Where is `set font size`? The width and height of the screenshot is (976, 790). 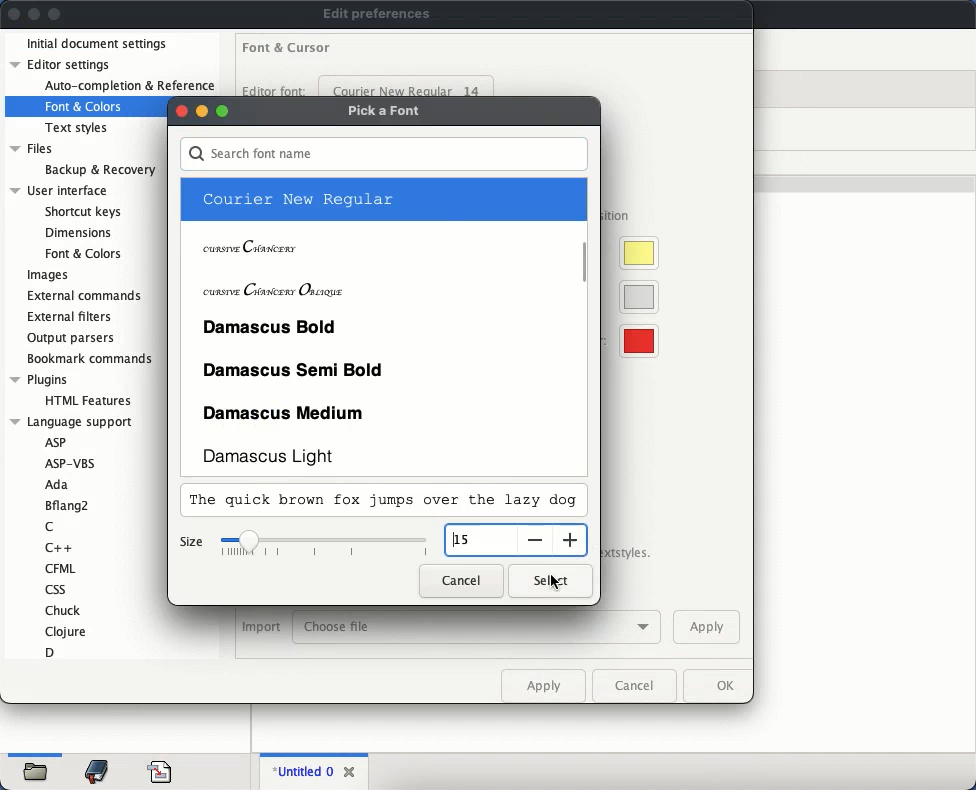 set font size is located at coordinates (326, 545).